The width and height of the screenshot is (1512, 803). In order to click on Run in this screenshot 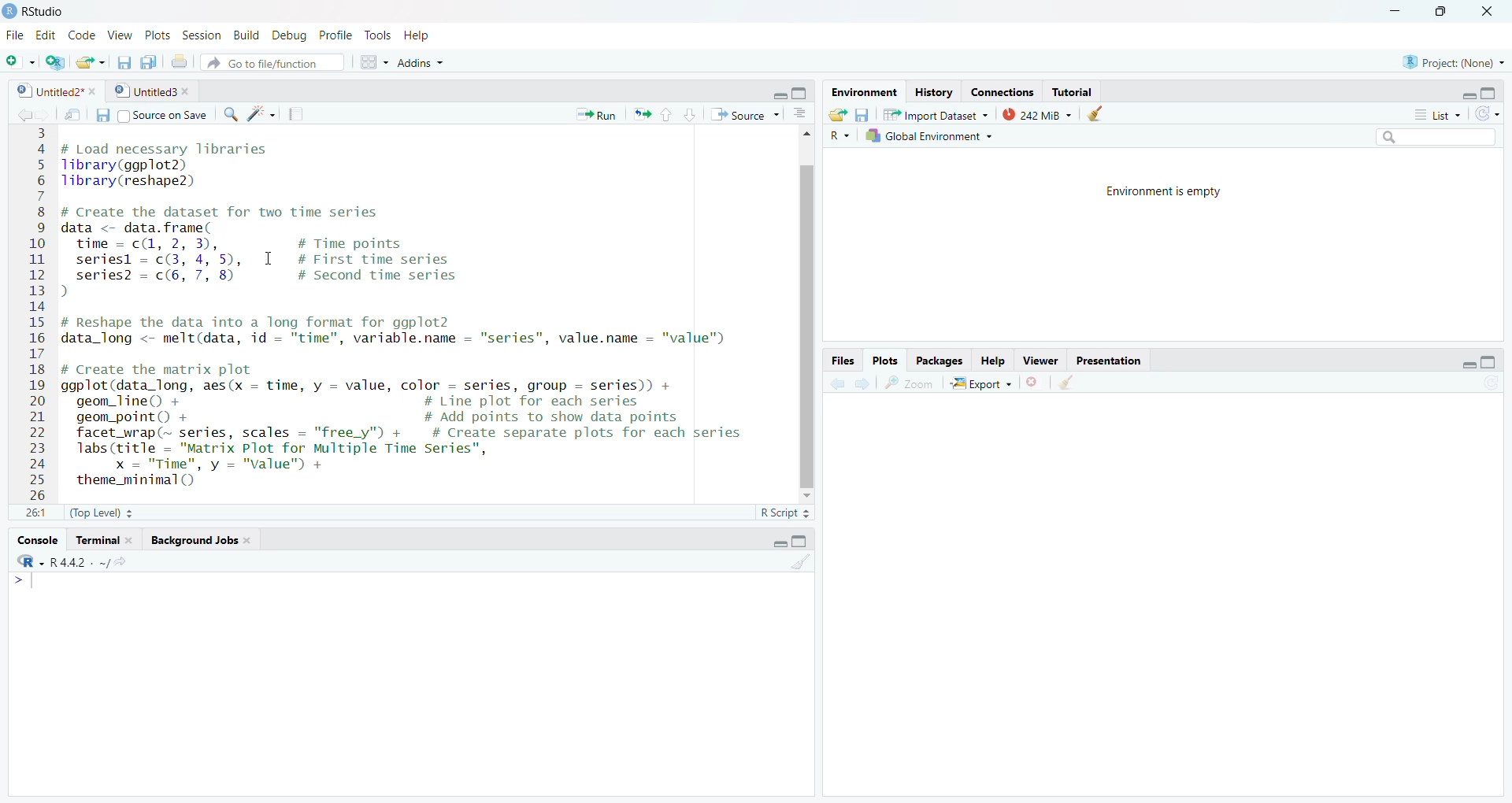, I will do `click(598, 114)`.